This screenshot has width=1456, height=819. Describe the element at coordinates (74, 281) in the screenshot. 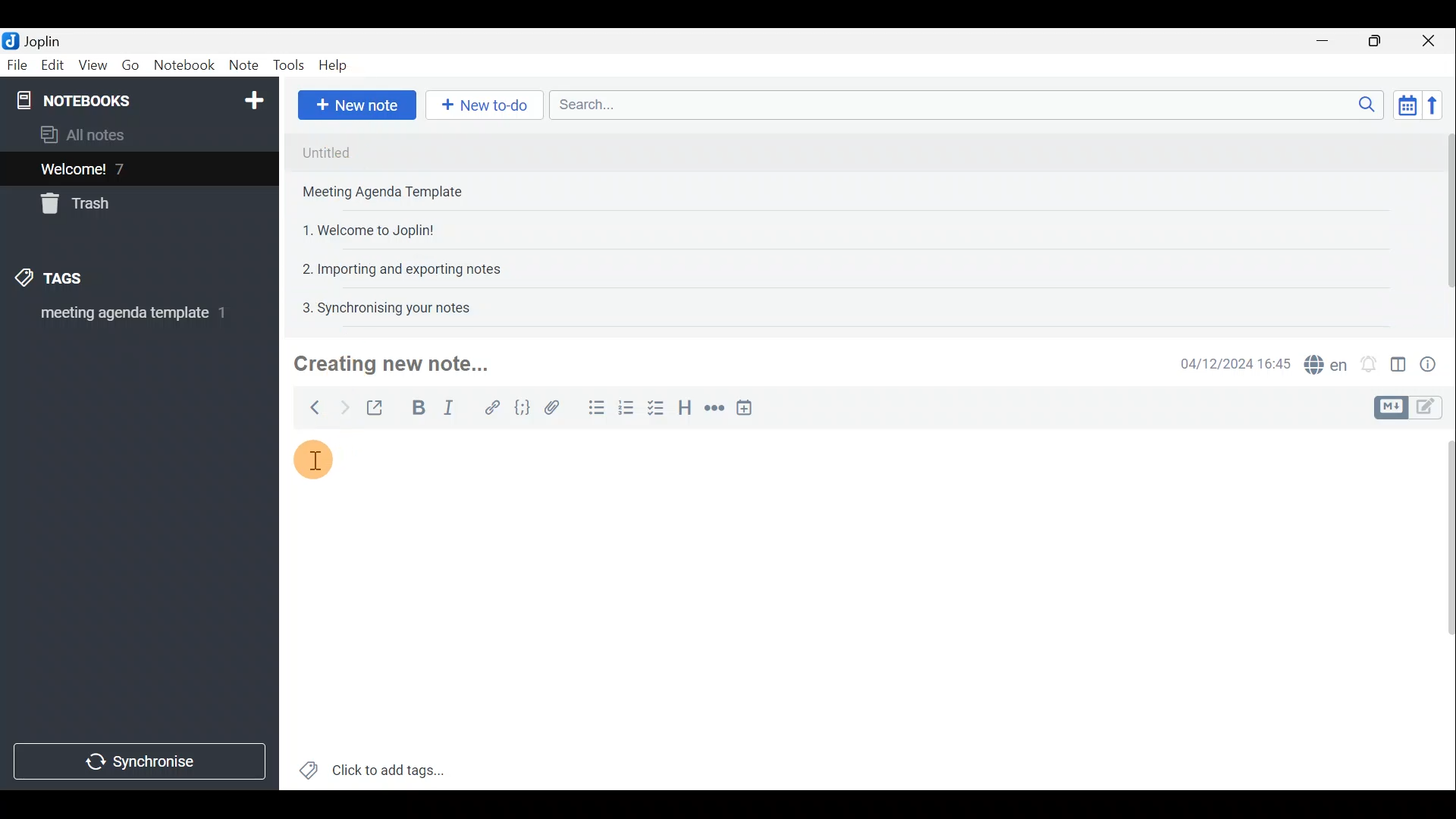

I see `Tags` at that location.